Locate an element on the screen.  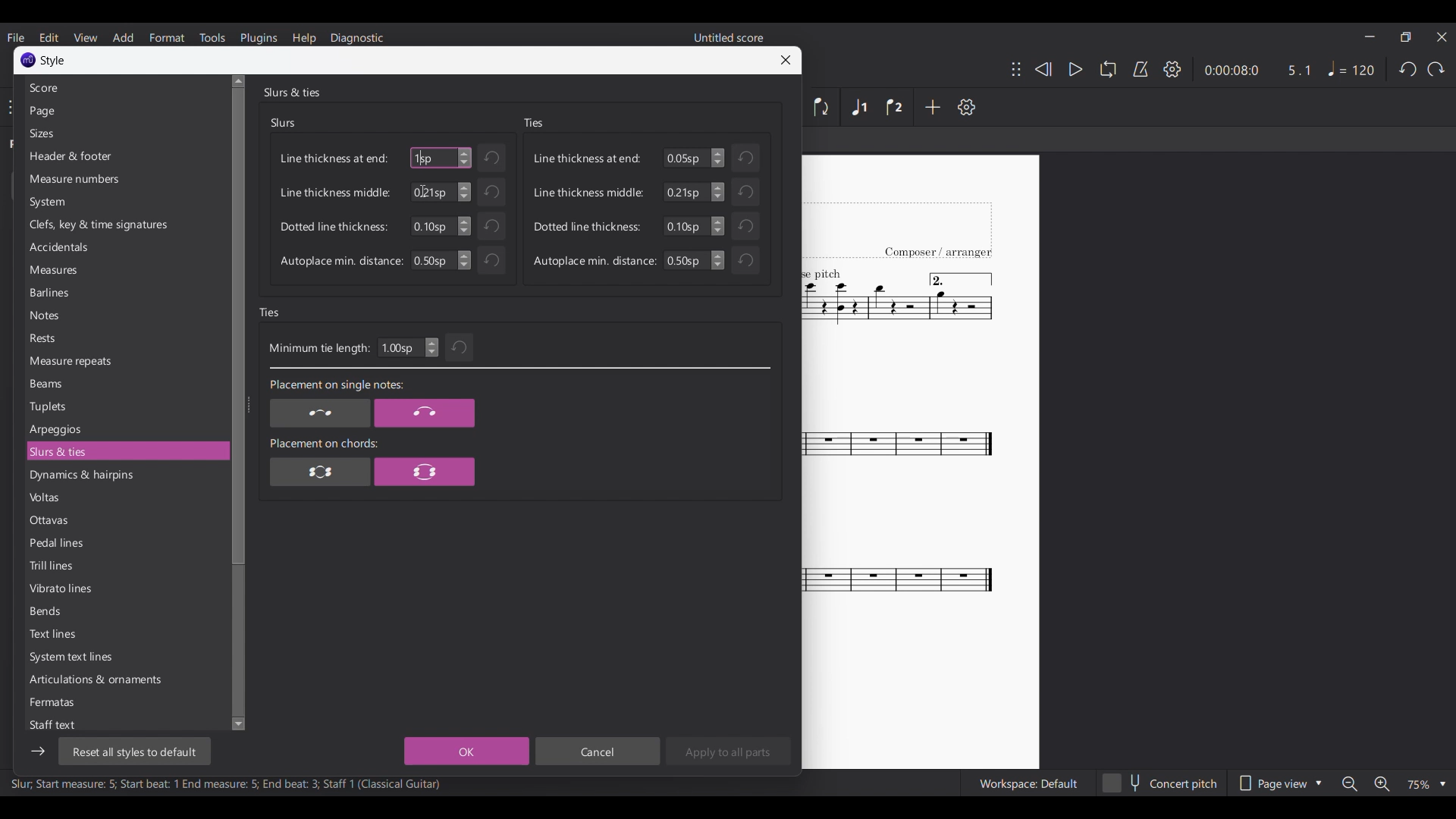
Staff text is located at coordinates (124, 724).